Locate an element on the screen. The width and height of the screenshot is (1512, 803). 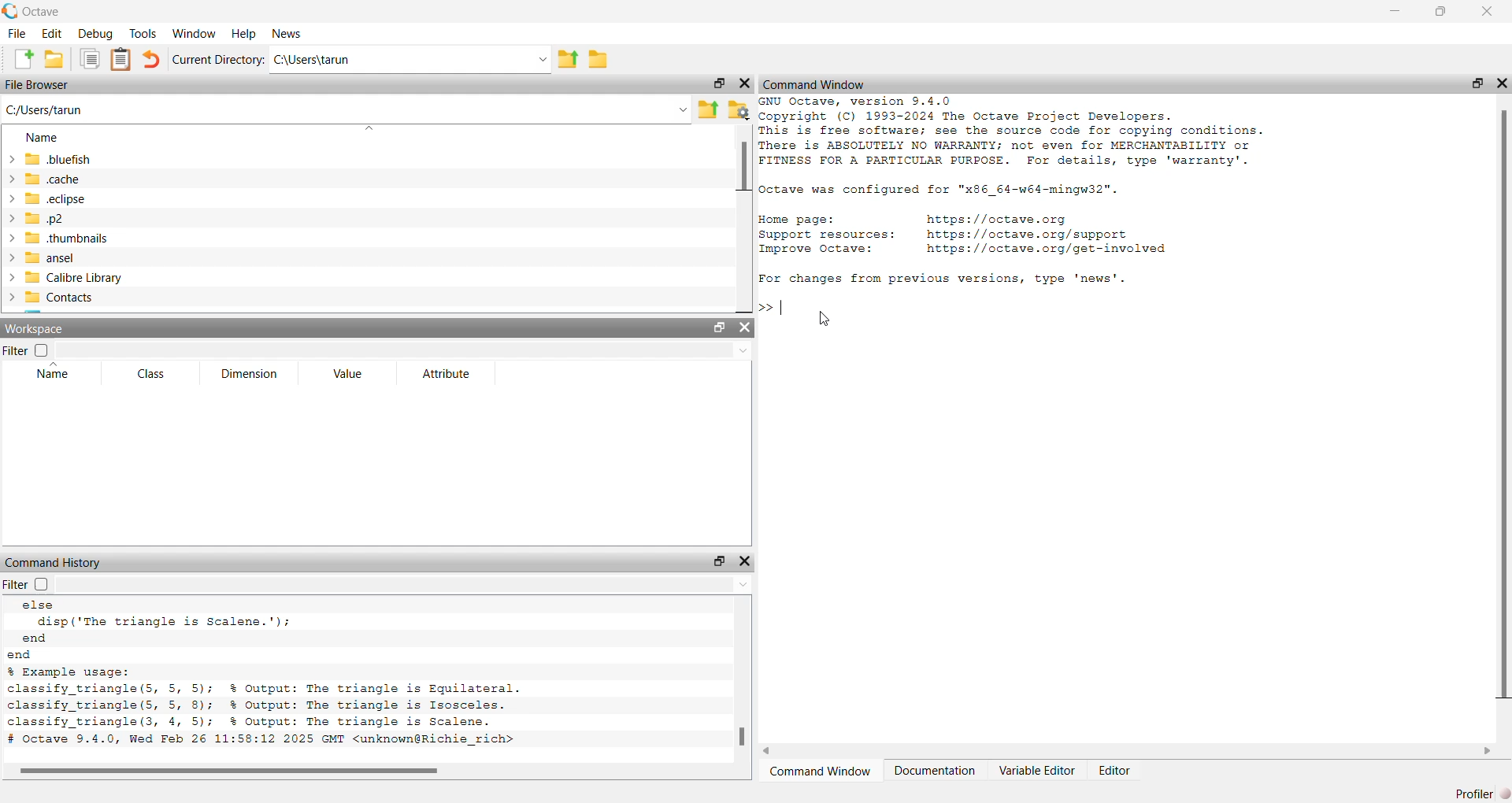
unlock widget is located at coordinates (718, 327).